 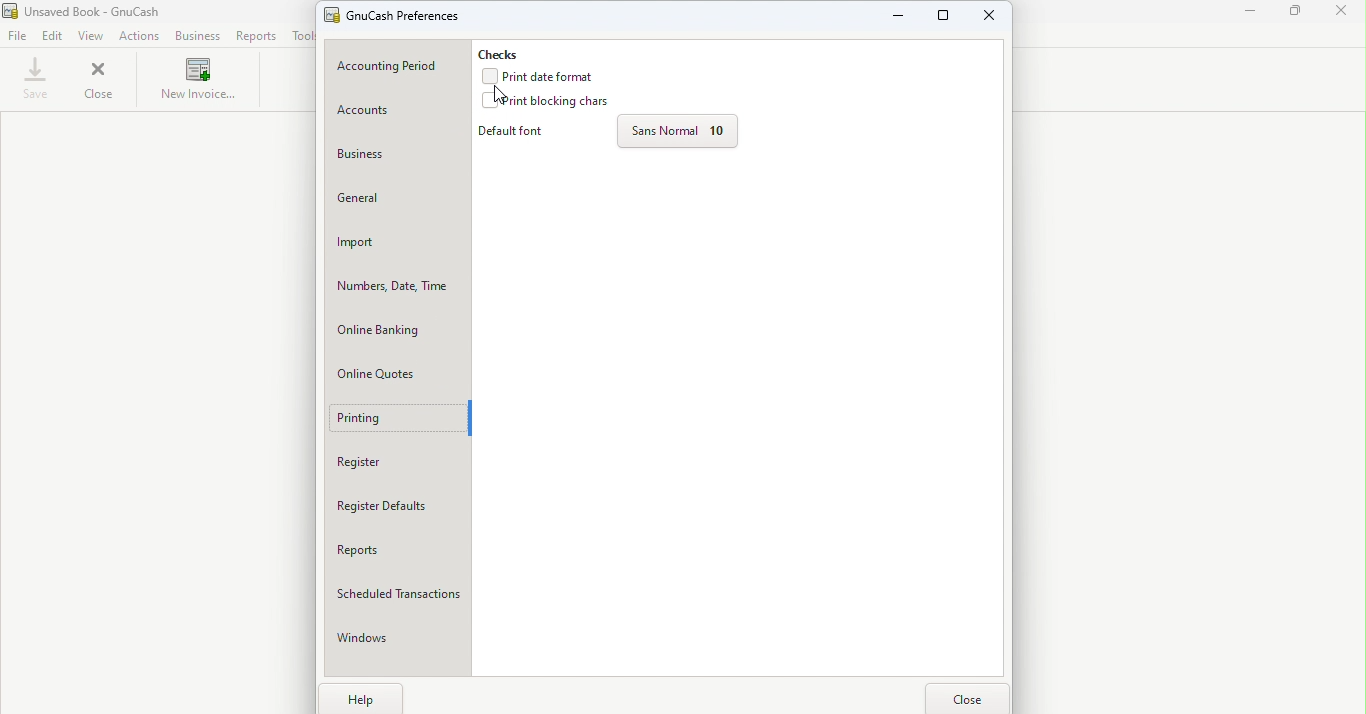 What do you see at coordinates (511, 51) in the screenshot?
I see `Checks` at bounding box center [511, 51].